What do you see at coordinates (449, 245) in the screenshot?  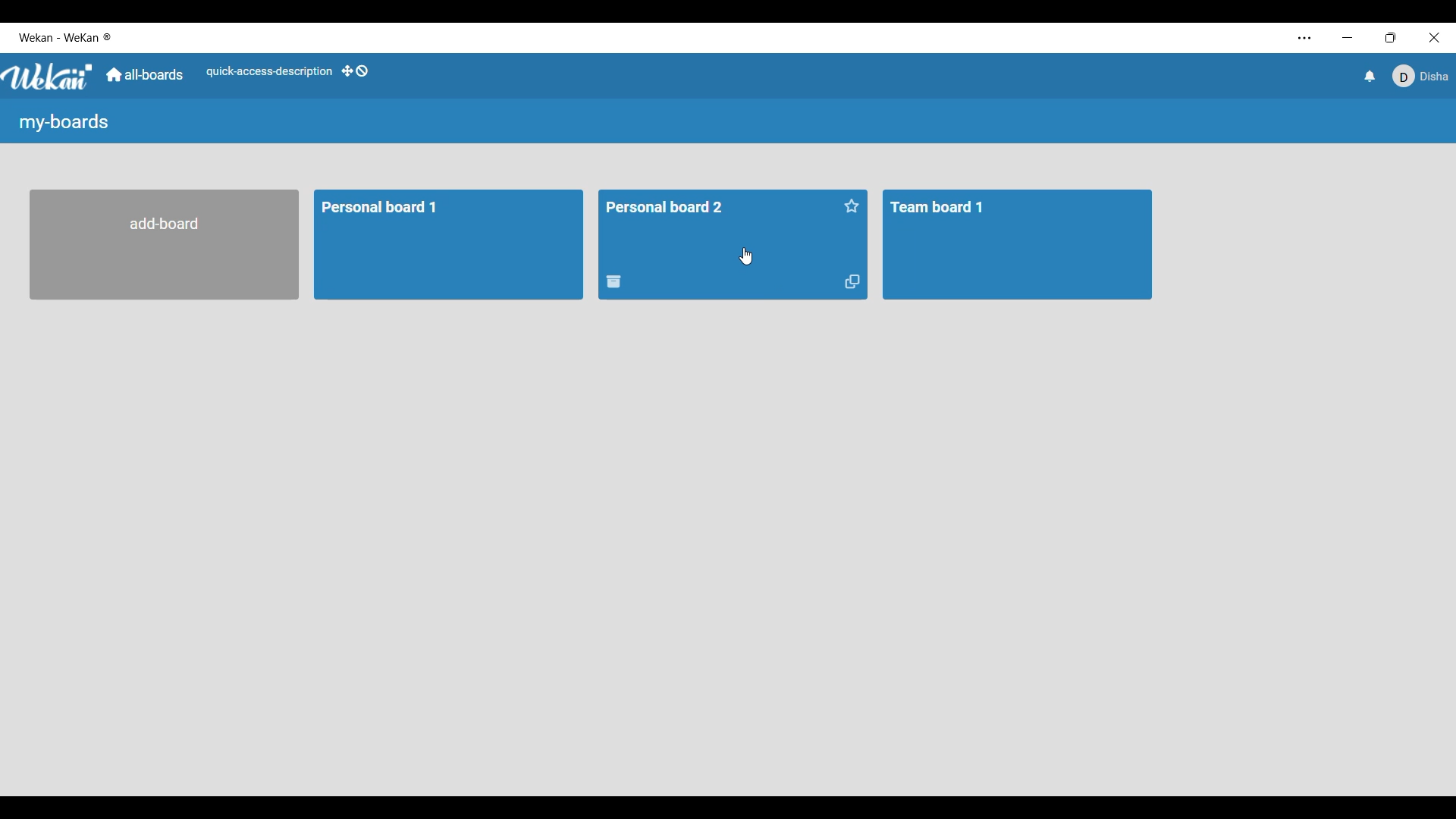 I see `Personal board 1` at bounding box center [449, 245].